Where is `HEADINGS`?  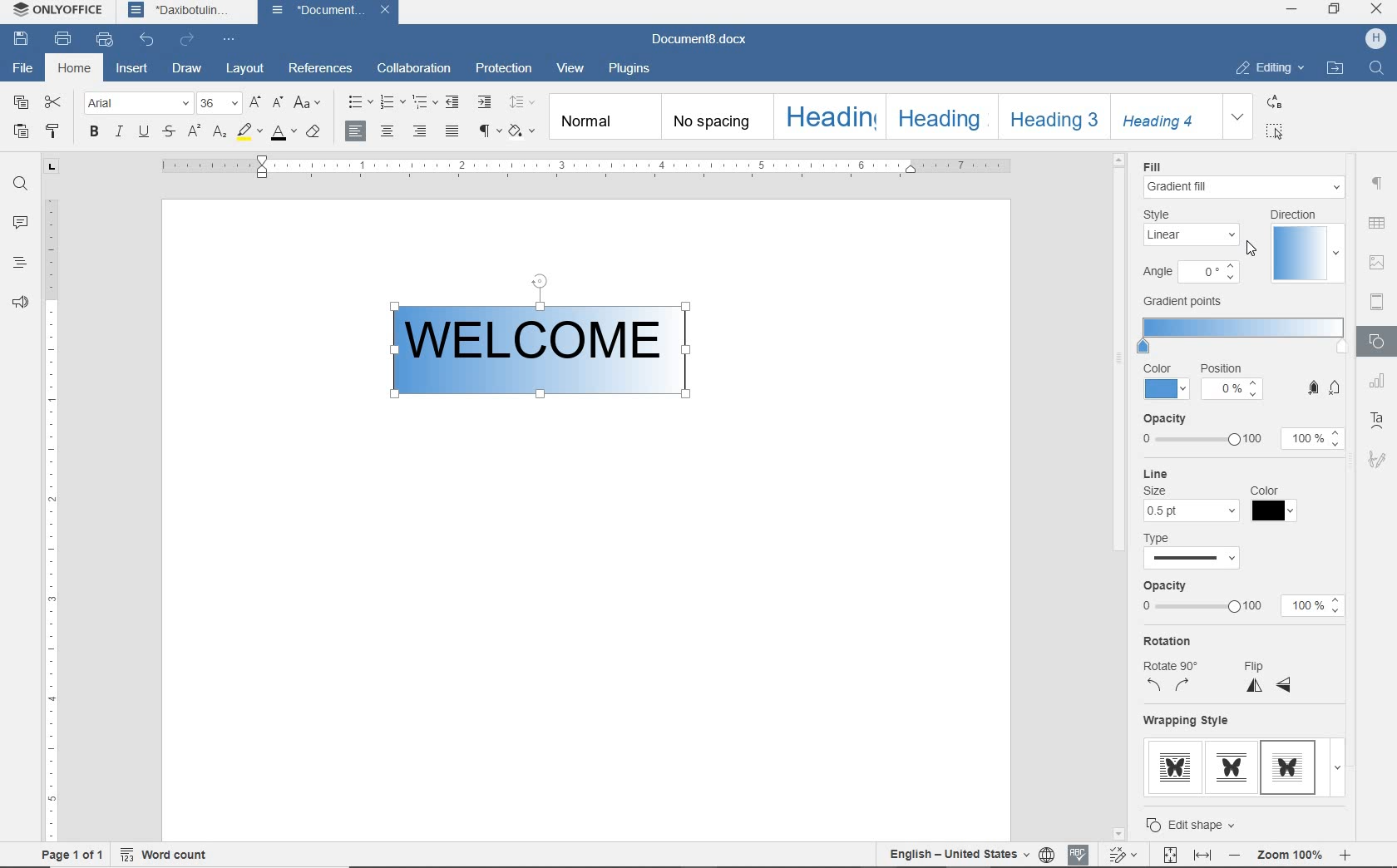 HEADINGS is located at coordinates (22, 262).